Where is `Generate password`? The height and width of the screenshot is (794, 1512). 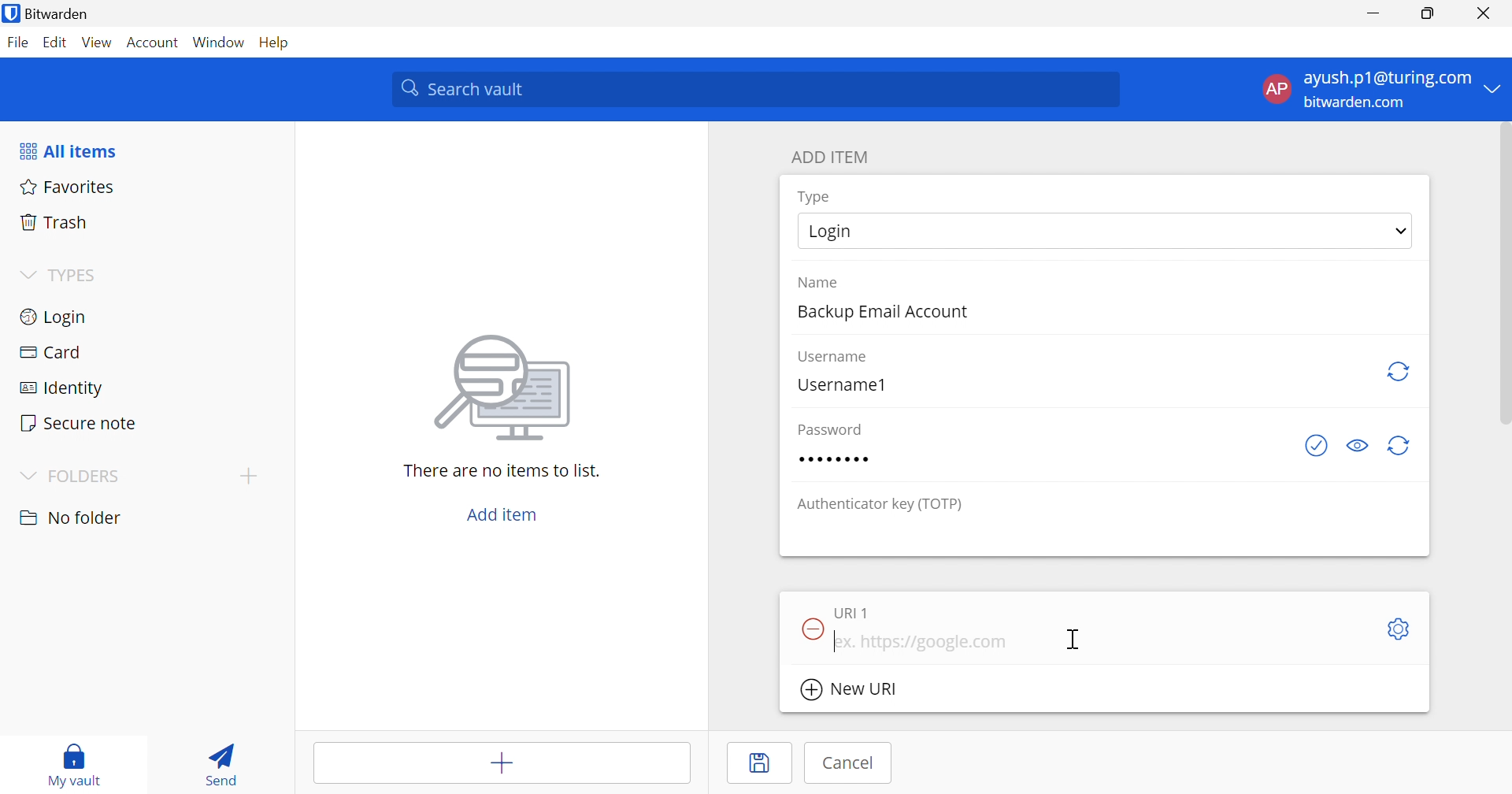
Generate password is located at coordinates (1399, 371).